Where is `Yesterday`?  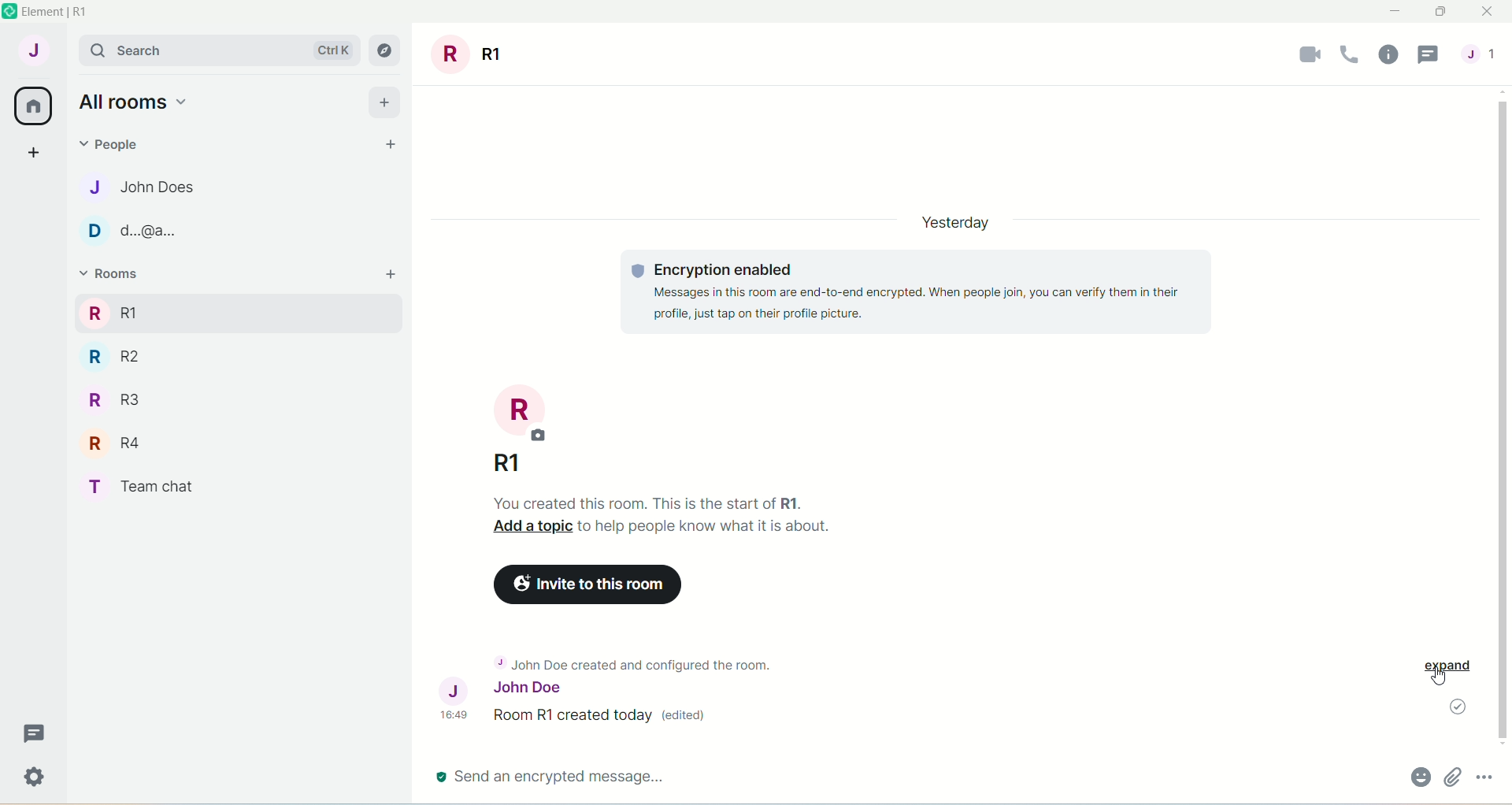
Yesterday is located at coordinates (951, 221).